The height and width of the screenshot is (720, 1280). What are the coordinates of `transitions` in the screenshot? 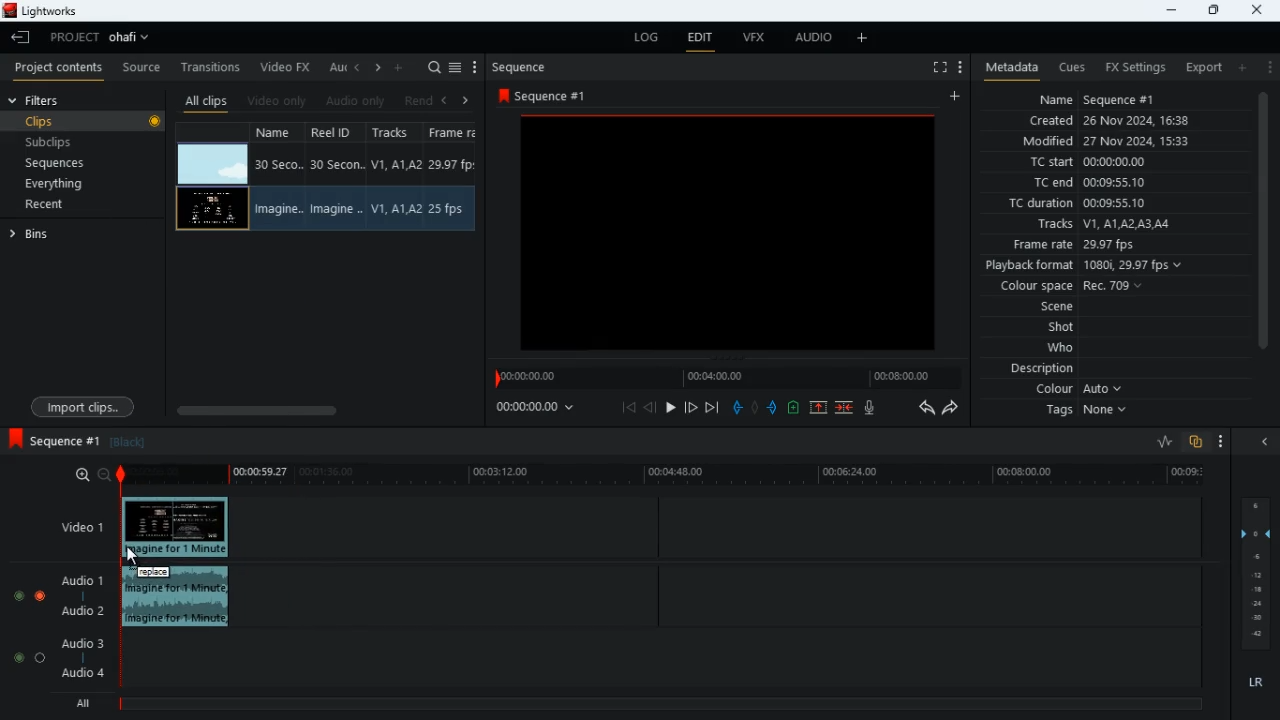 It's located at (213, 63).